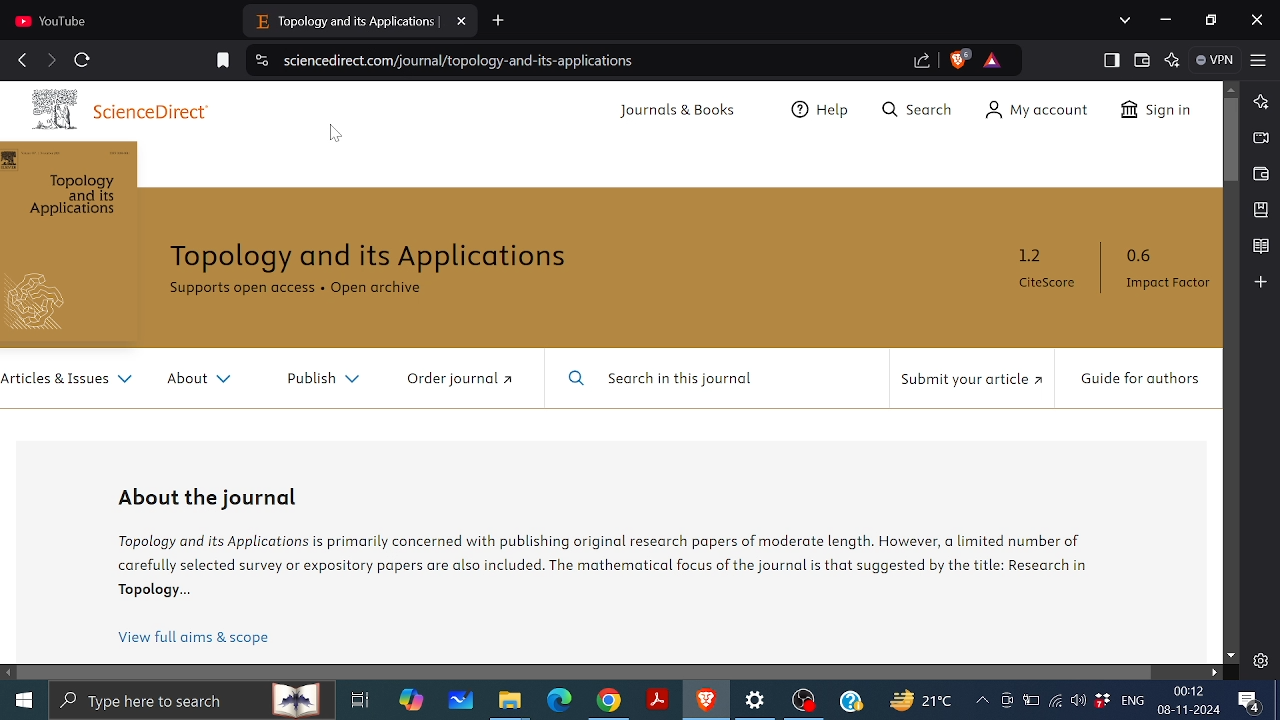 The width and height of the screenshot is (1280, 720). Describe the element at coordinates (50, 60) in the screenshot. I see `move forward` at that location.